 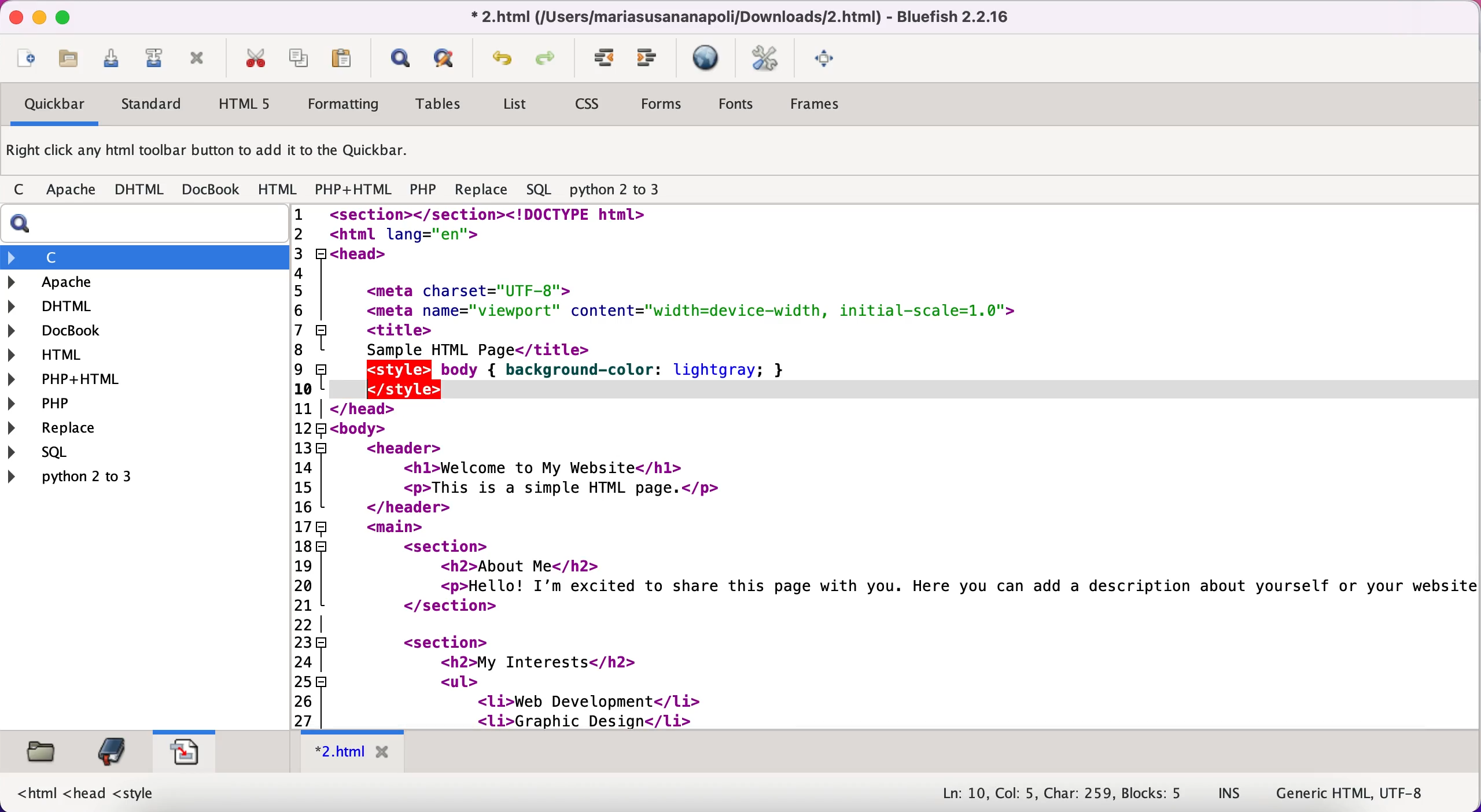 What do you see at coordinates (142, 224) in the screenshot?
I see `search bar` at bounding box center [142, 224].